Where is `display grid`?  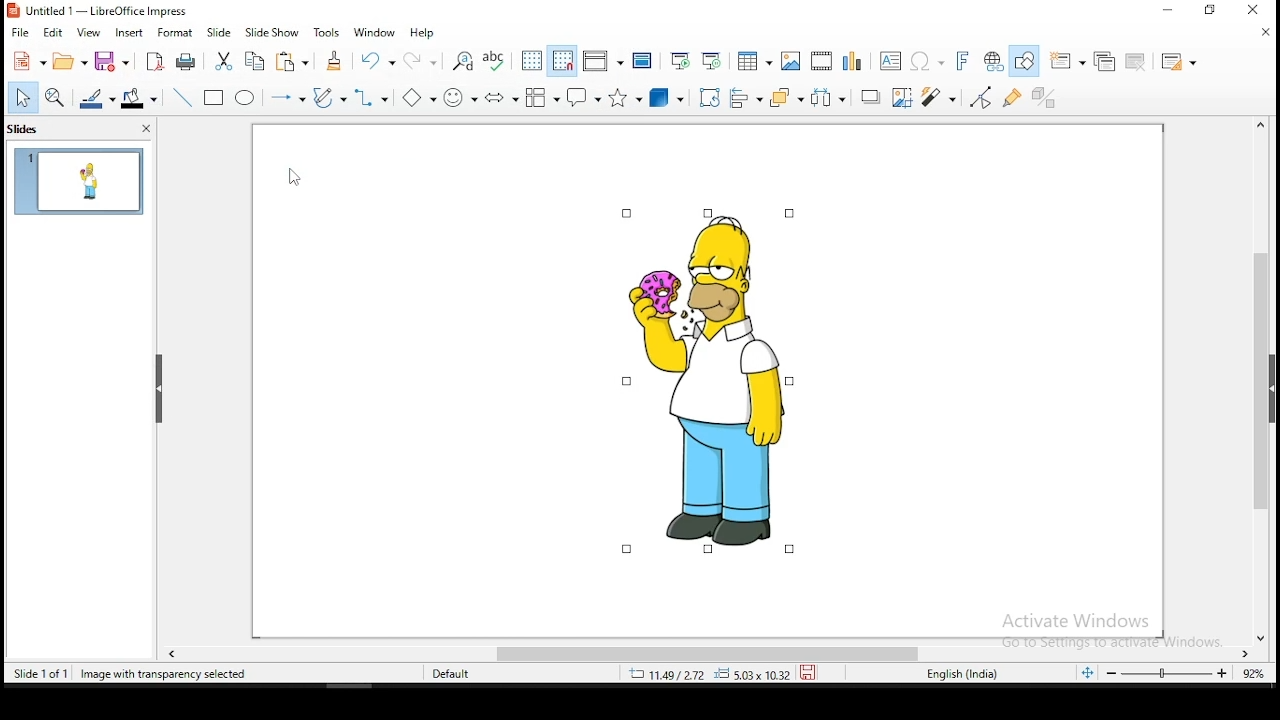
display grid is located at coordinates (530, 61).